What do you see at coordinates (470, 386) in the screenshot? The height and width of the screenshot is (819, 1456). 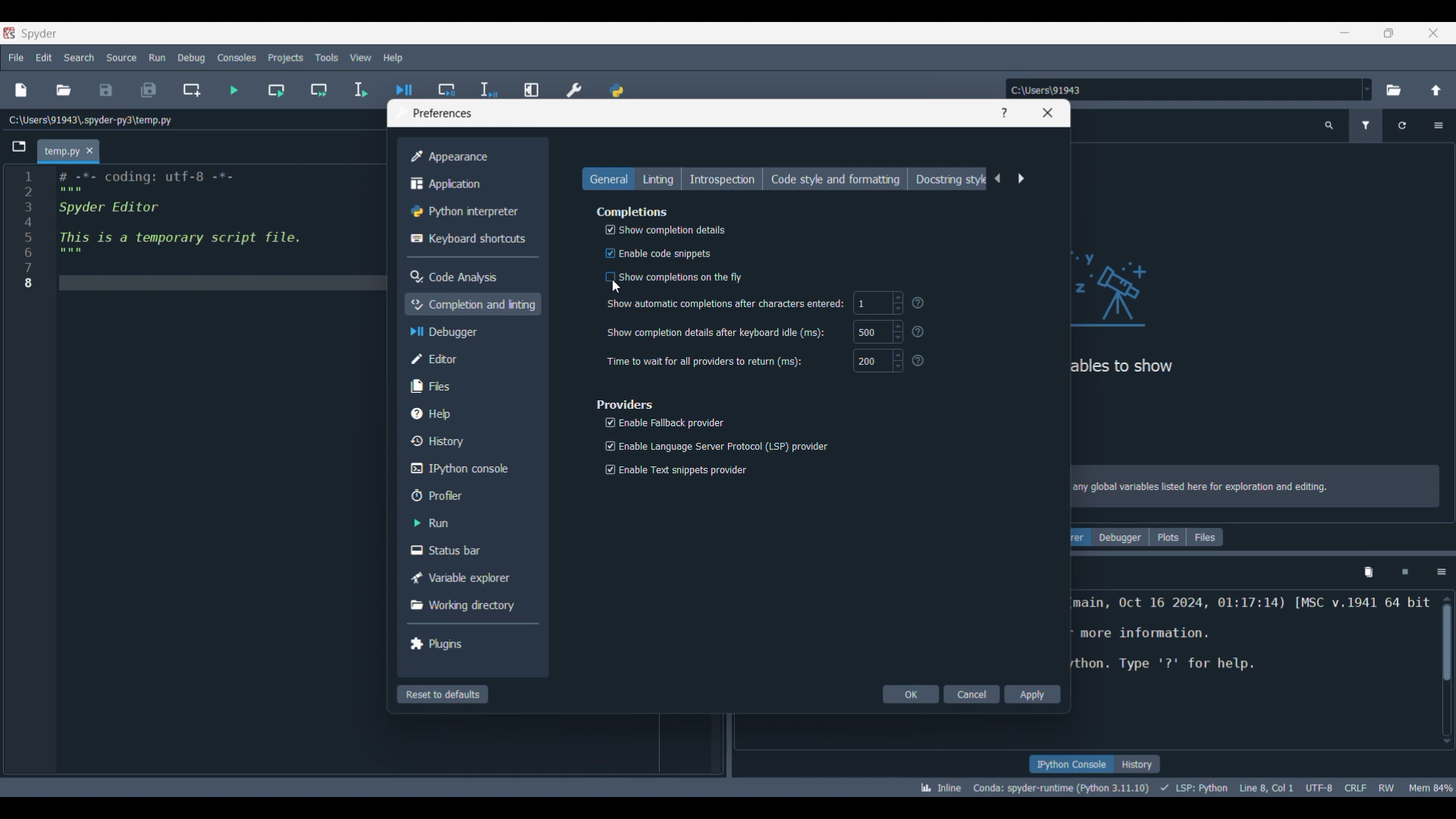 I see `Files` at bounding box center [470, 386].